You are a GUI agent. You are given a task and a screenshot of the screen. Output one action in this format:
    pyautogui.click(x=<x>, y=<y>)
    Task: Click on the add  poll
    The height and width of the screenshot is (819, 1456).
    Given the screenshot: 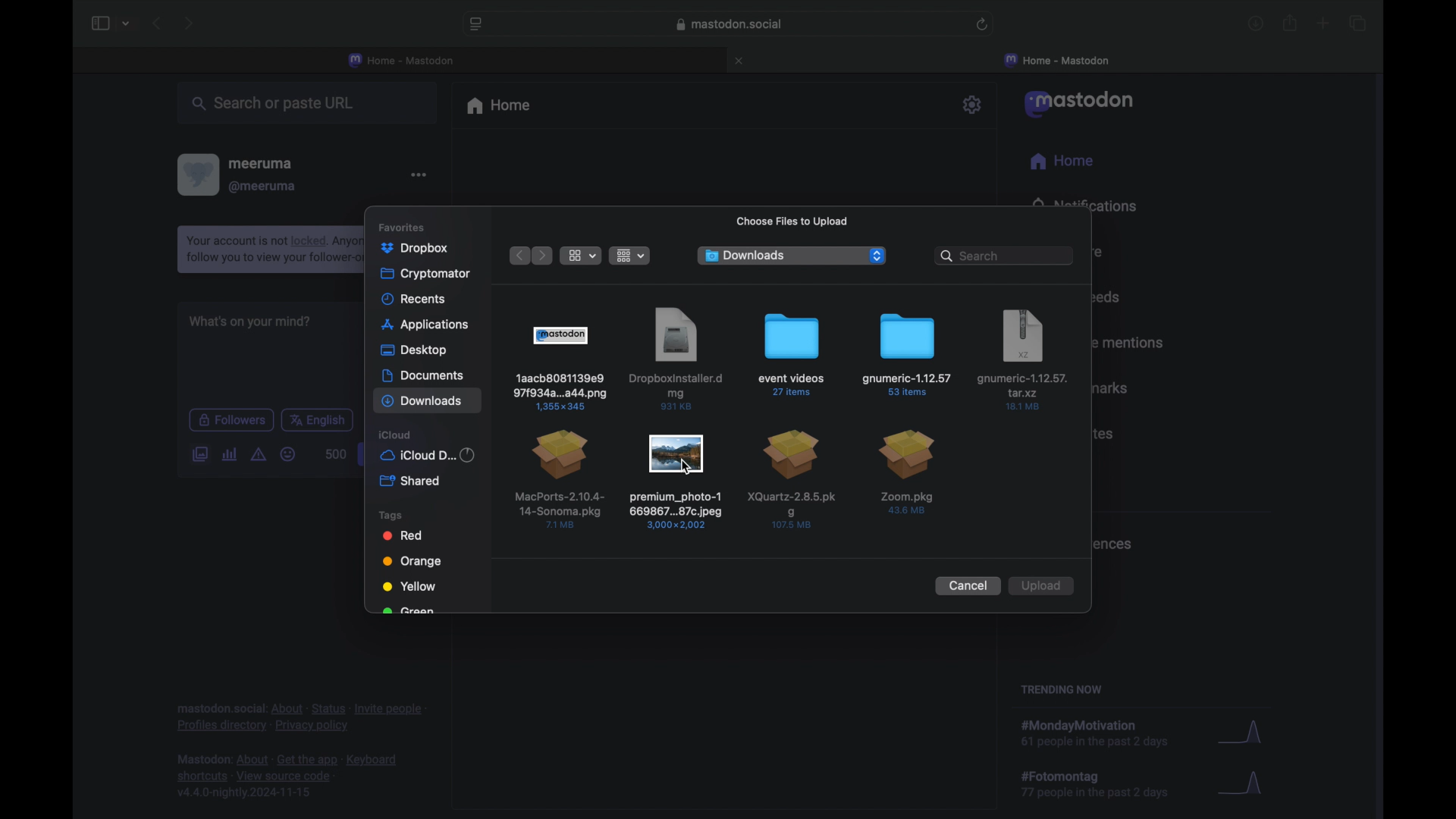 What is the action you would take?
    pyautogui.click(x=229, y=455)
    